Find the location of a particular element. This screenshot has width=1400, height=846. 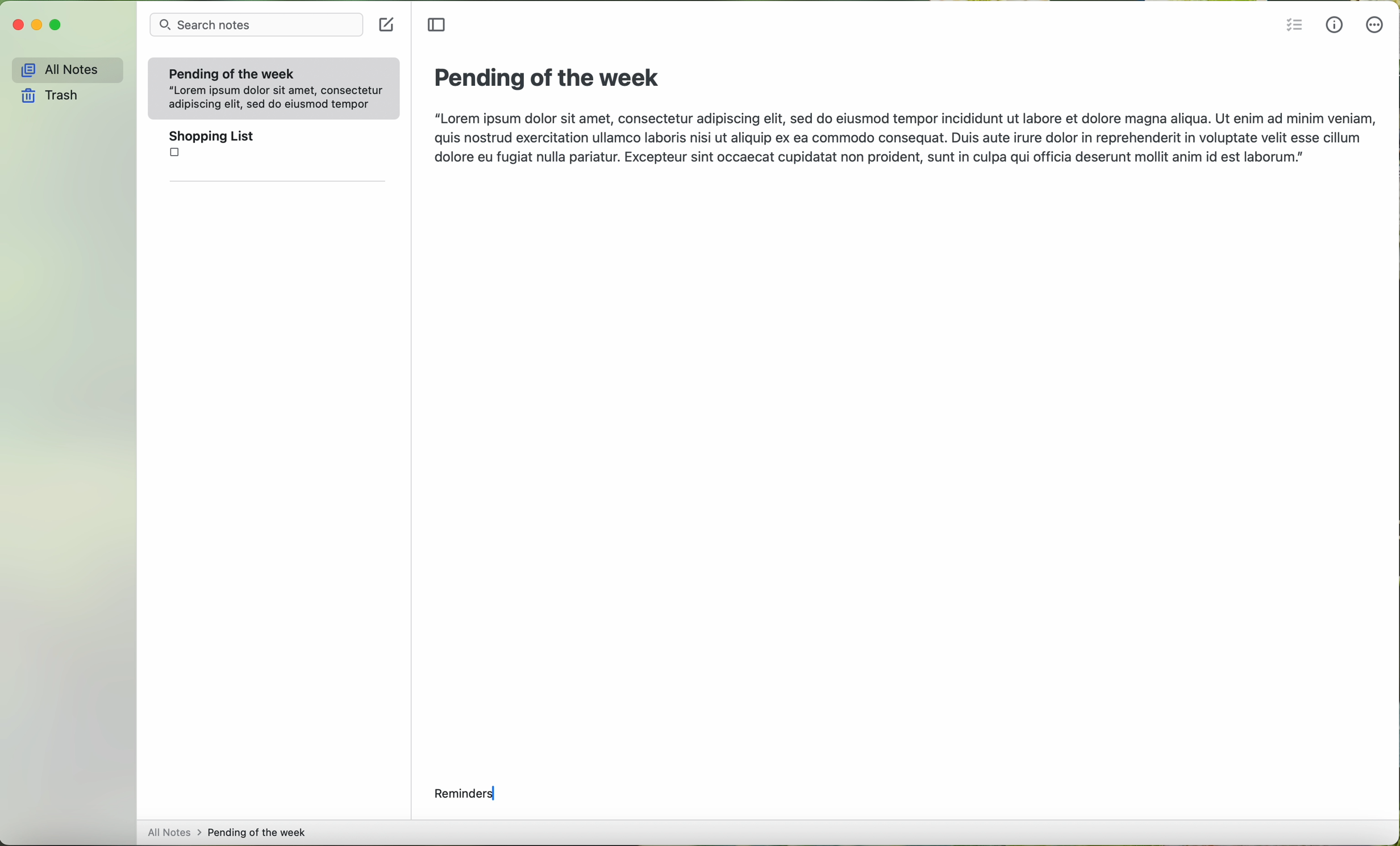

create a note is located at coordinates (389, 26).